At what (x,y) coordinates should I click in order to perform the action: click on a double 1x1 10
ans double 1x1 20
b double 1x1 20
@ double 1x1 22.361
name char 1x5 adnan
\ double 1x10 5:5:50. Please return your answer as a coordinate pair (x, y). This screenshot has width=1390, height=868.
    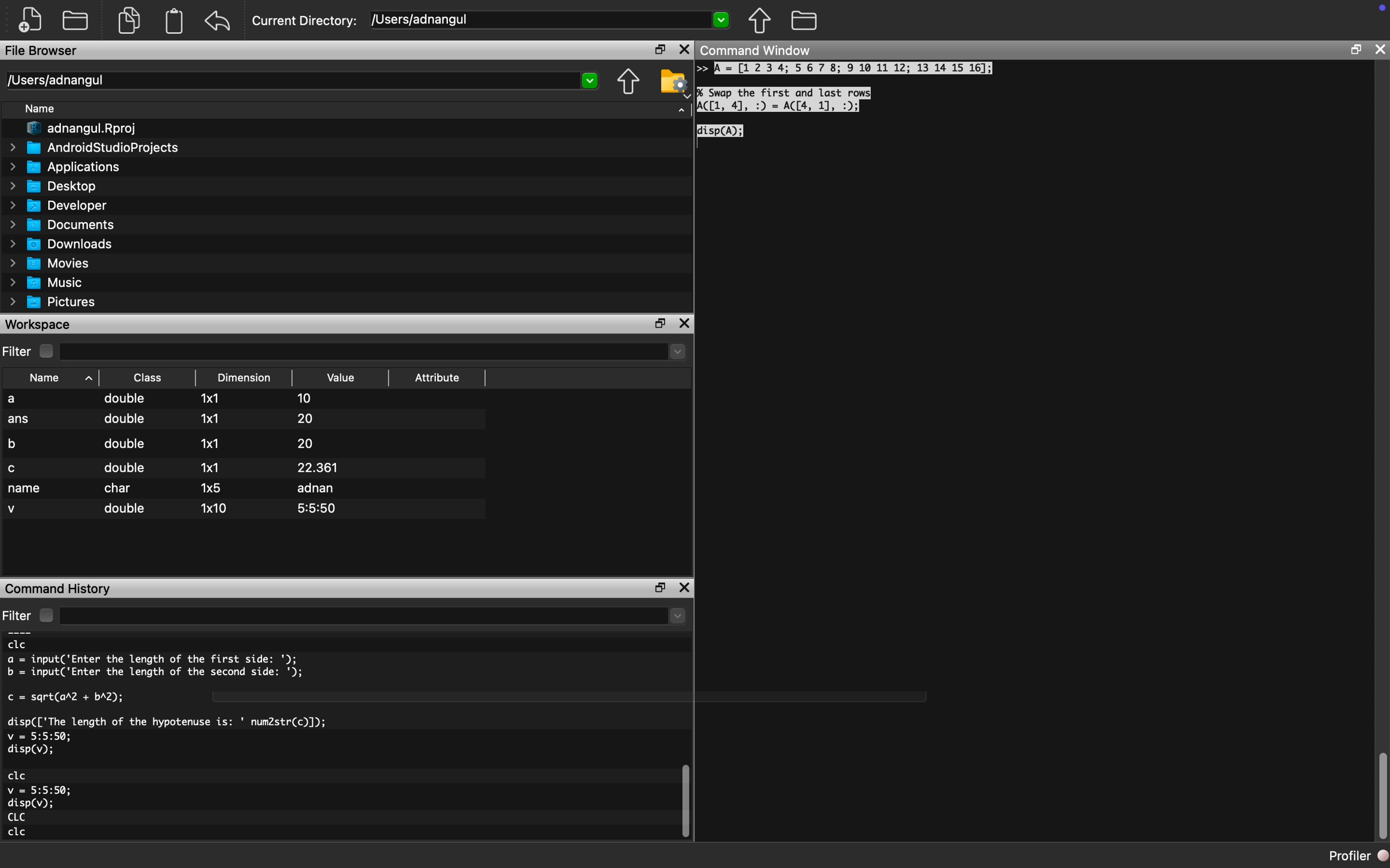
    Looking at the image, I should click on (245, 458).